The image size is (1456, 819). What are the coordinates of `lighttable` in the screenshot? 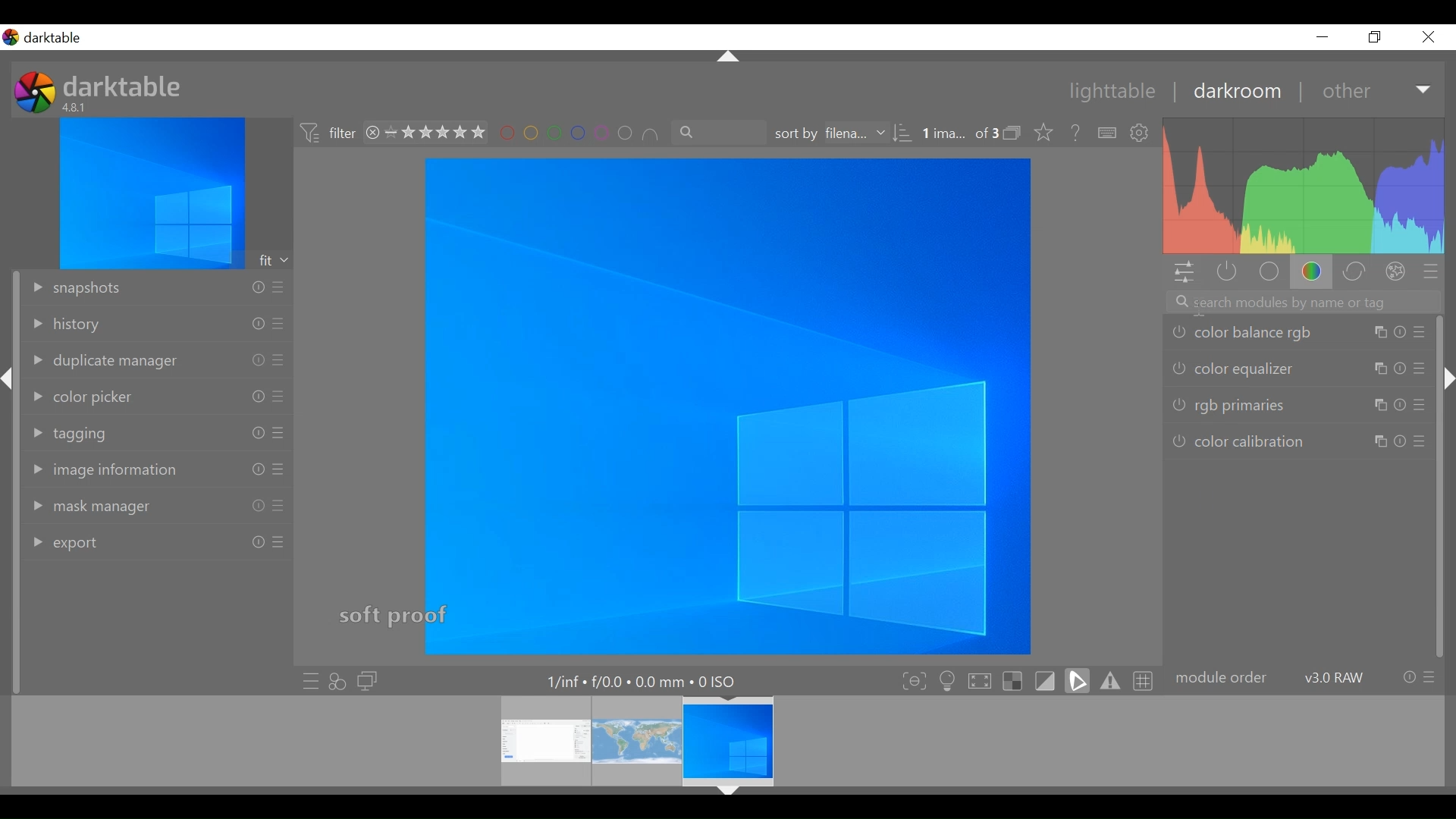 It's located at (1111, 93).